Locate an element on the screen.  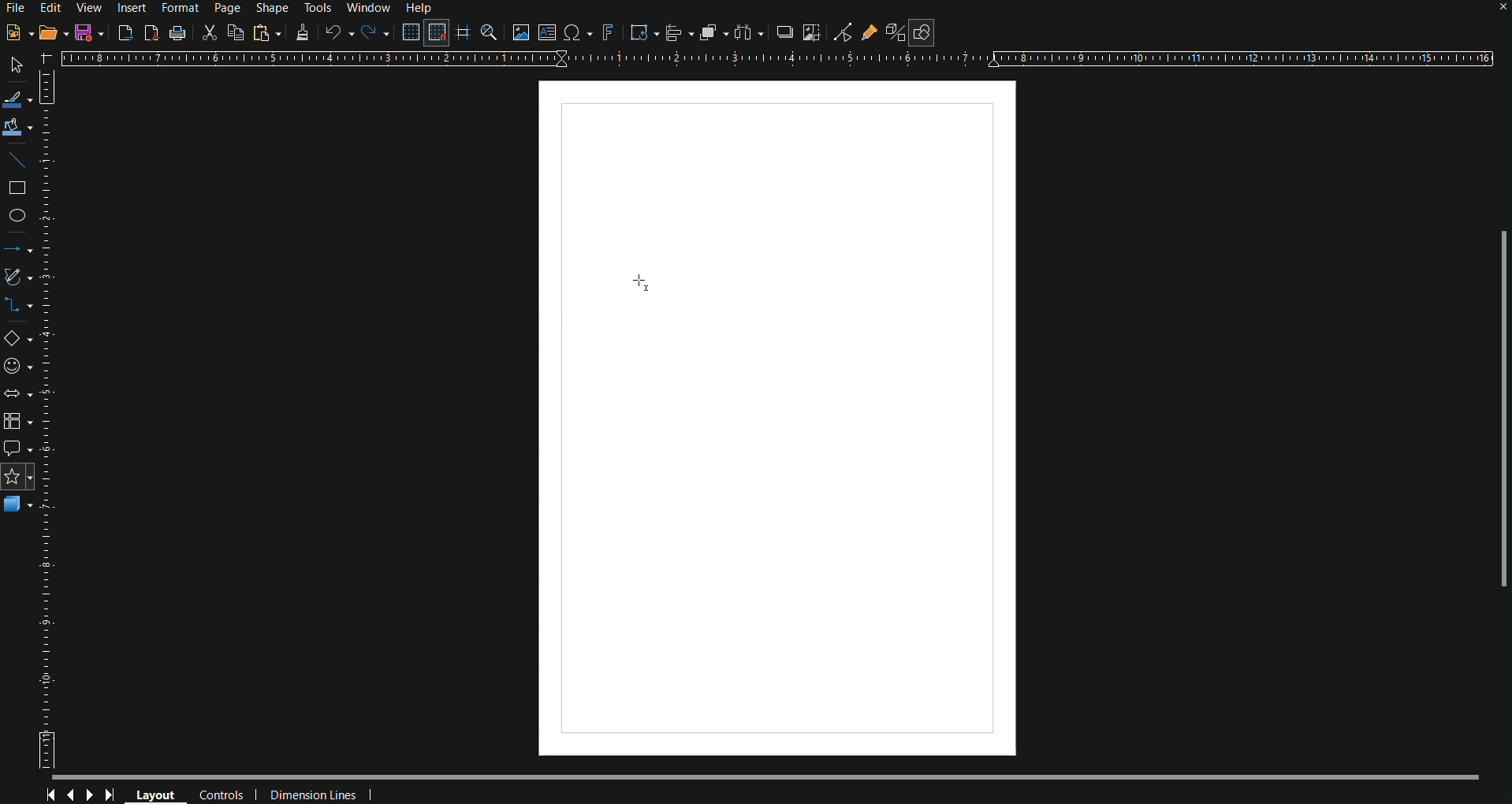
Canvas is located at coordinates (776, 418).